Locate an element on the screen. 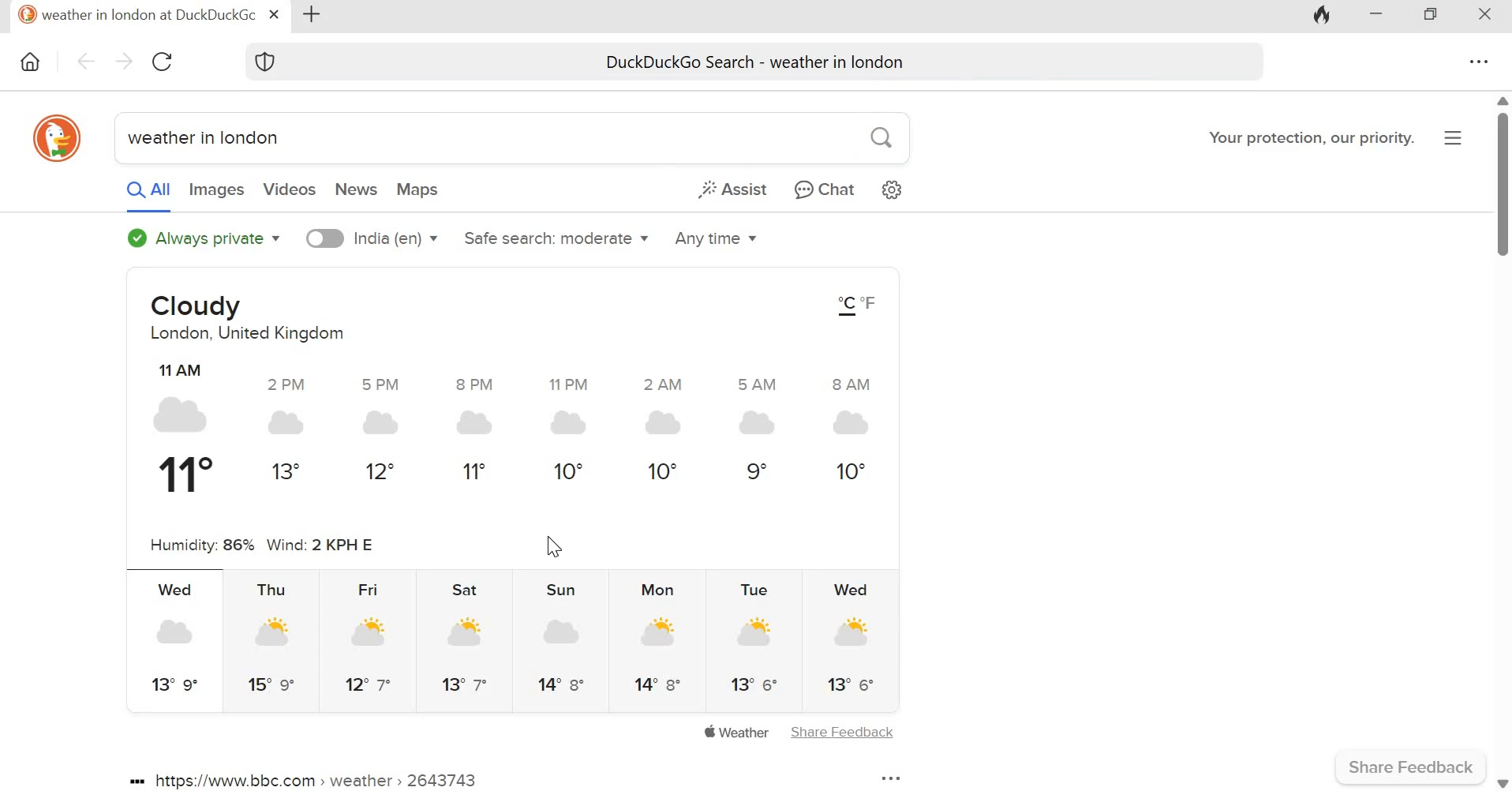 This screenshot has height=791, width=1512. 11 PM is located at coordinates (568, 384).